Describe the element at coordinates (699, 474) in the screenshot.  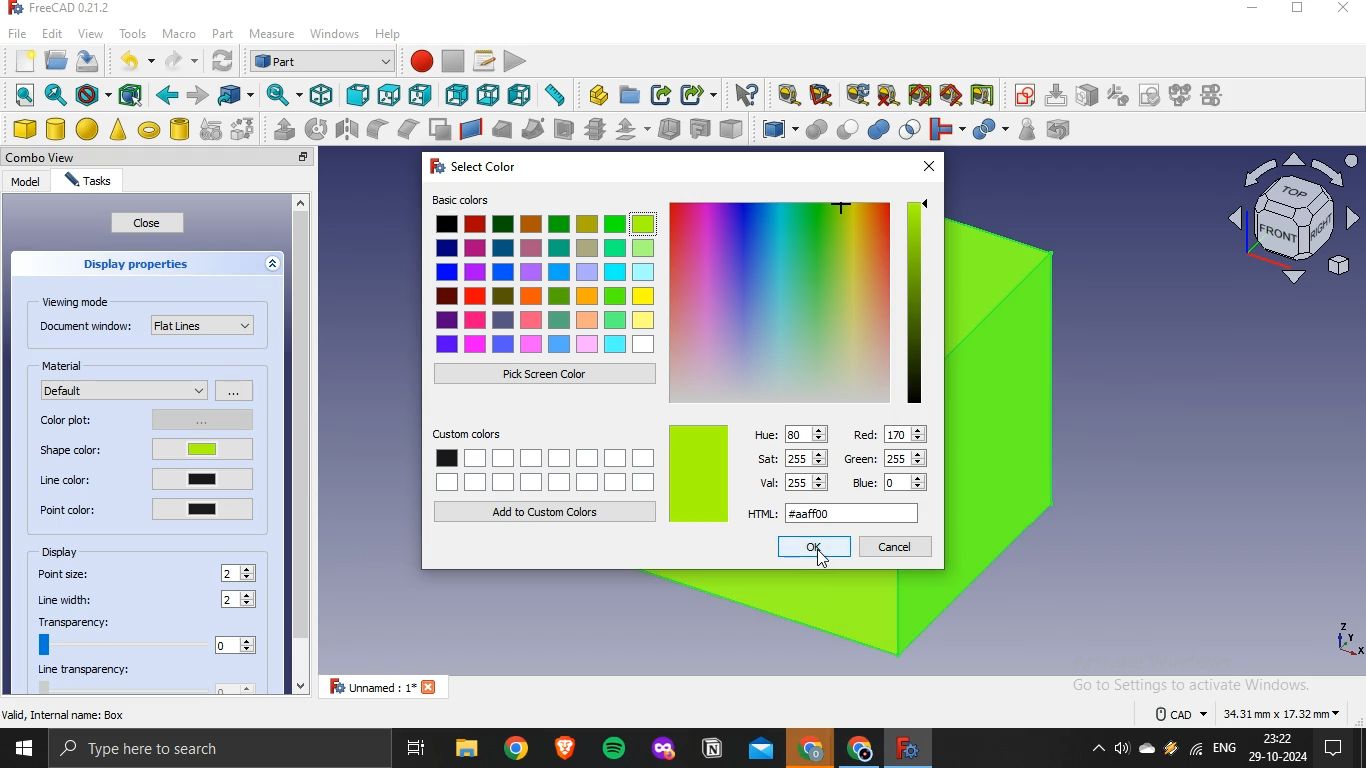
I see `image` at that location.